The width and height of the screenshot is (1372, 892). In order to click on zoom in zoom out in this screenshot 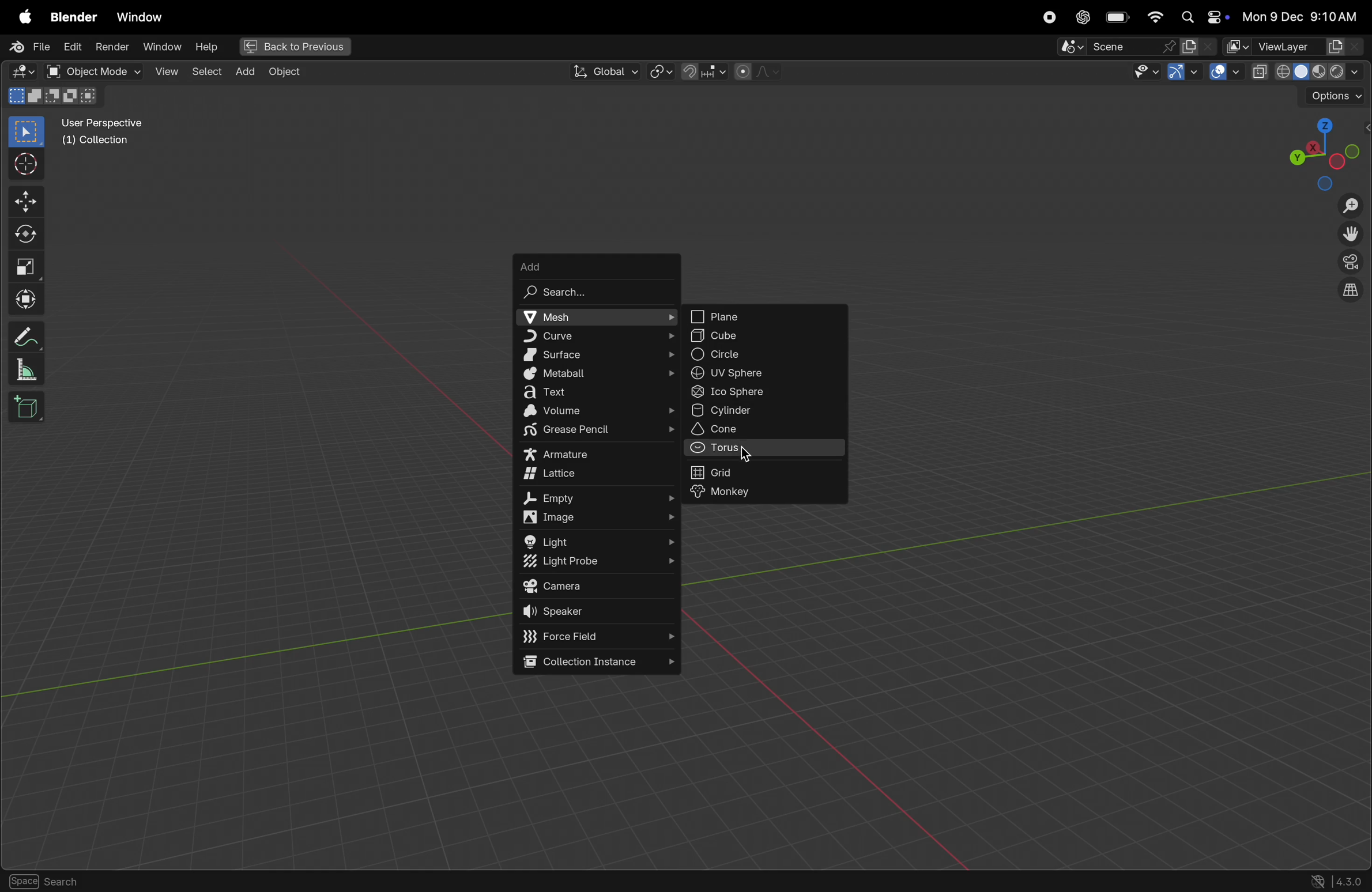, I will do `click(1354, 206)`.